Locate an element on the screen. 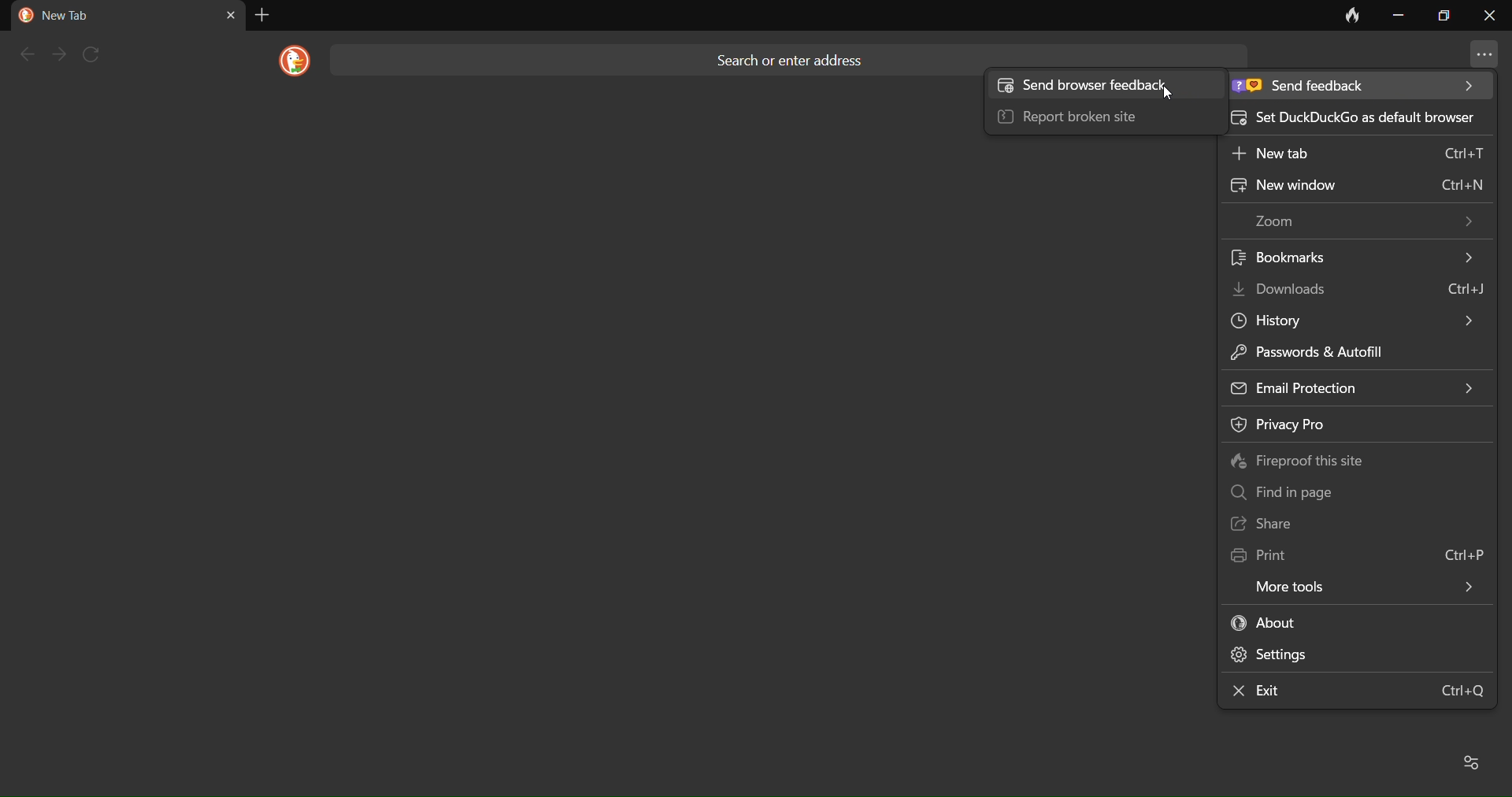 This screenshot has width=1512, height=797. new window is located at coordinates (1352, 185).